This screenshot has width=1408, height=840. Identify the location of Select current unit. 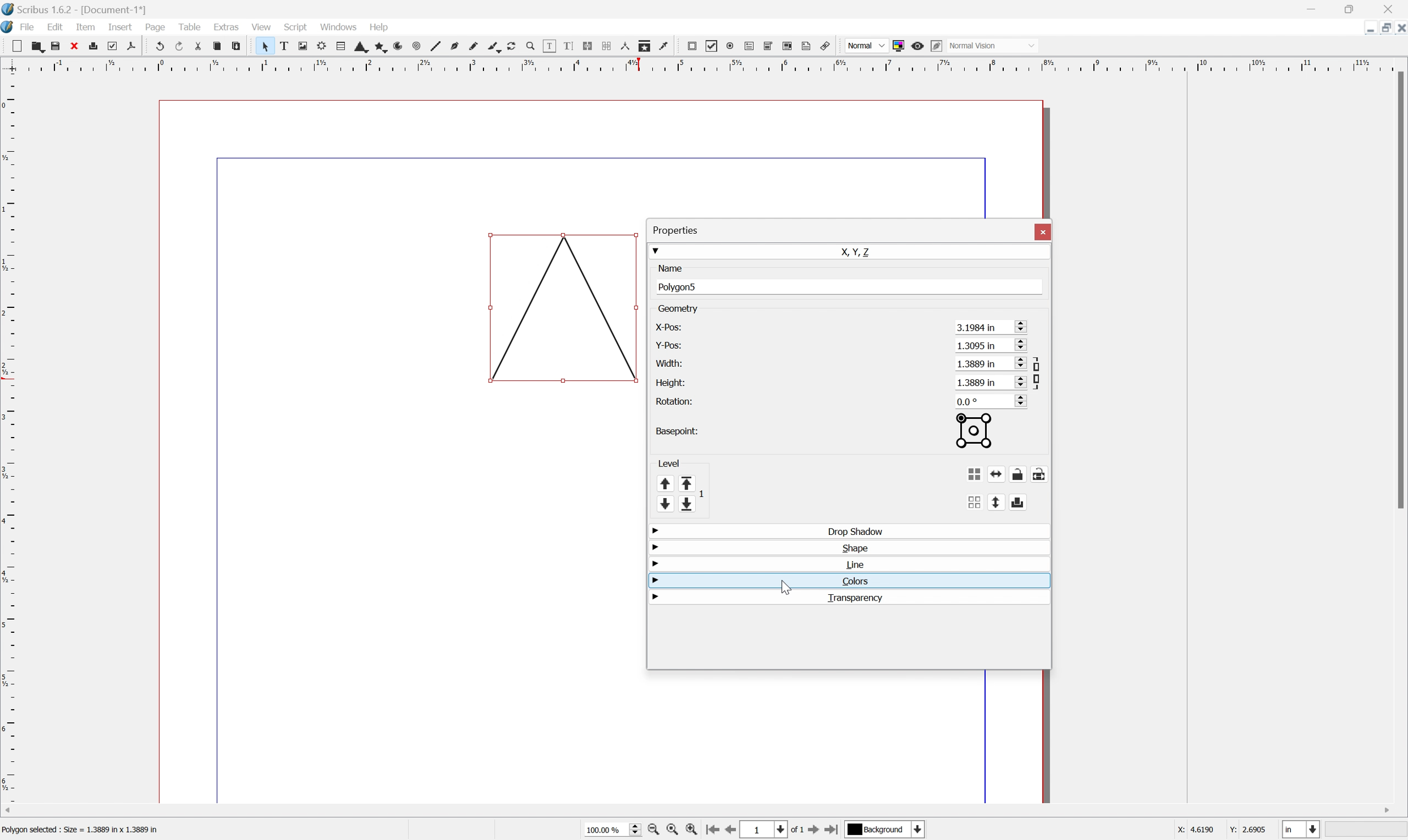
(1303, 829).